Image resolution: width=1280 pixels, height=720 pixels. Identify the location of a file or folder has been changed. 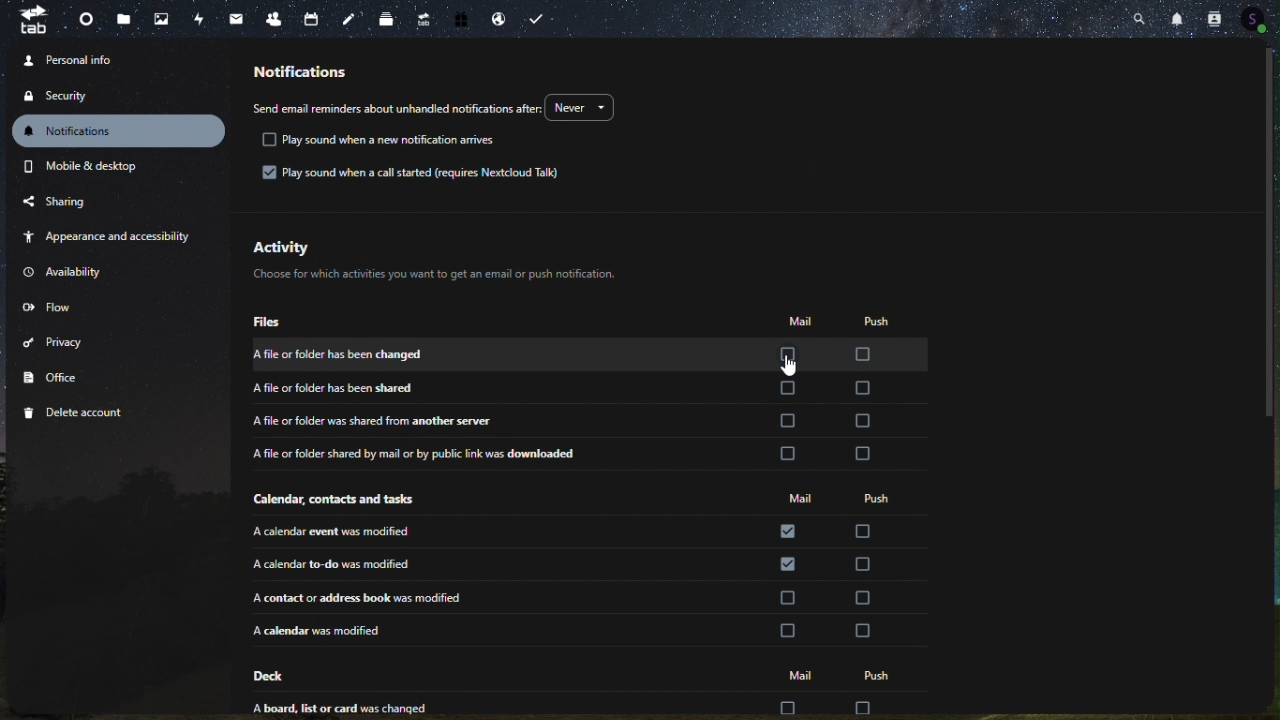
(350, 355).